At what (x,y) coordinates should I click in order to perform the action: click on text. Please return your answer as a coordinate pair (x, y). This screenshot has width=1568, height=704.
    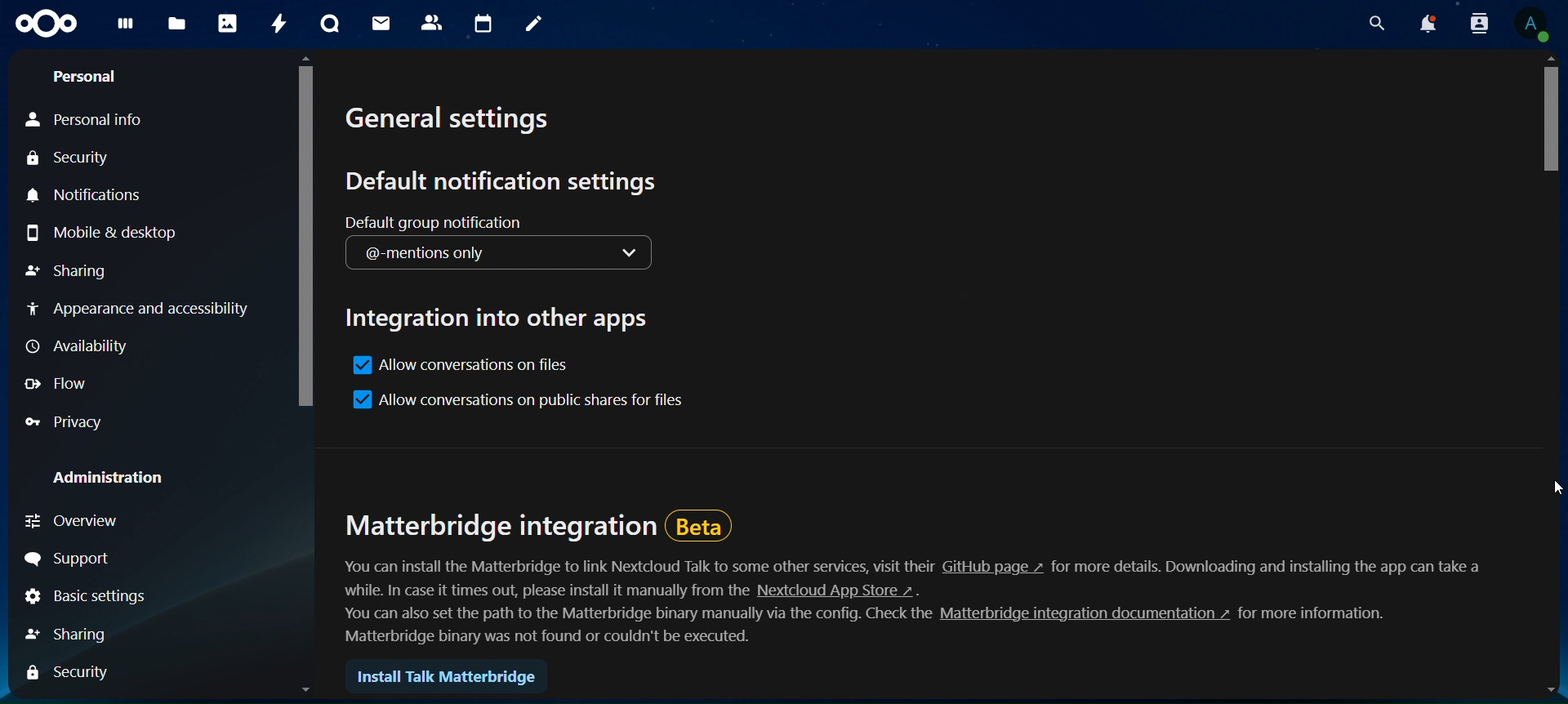
    Looking at the image, I should click on (1271, 568).